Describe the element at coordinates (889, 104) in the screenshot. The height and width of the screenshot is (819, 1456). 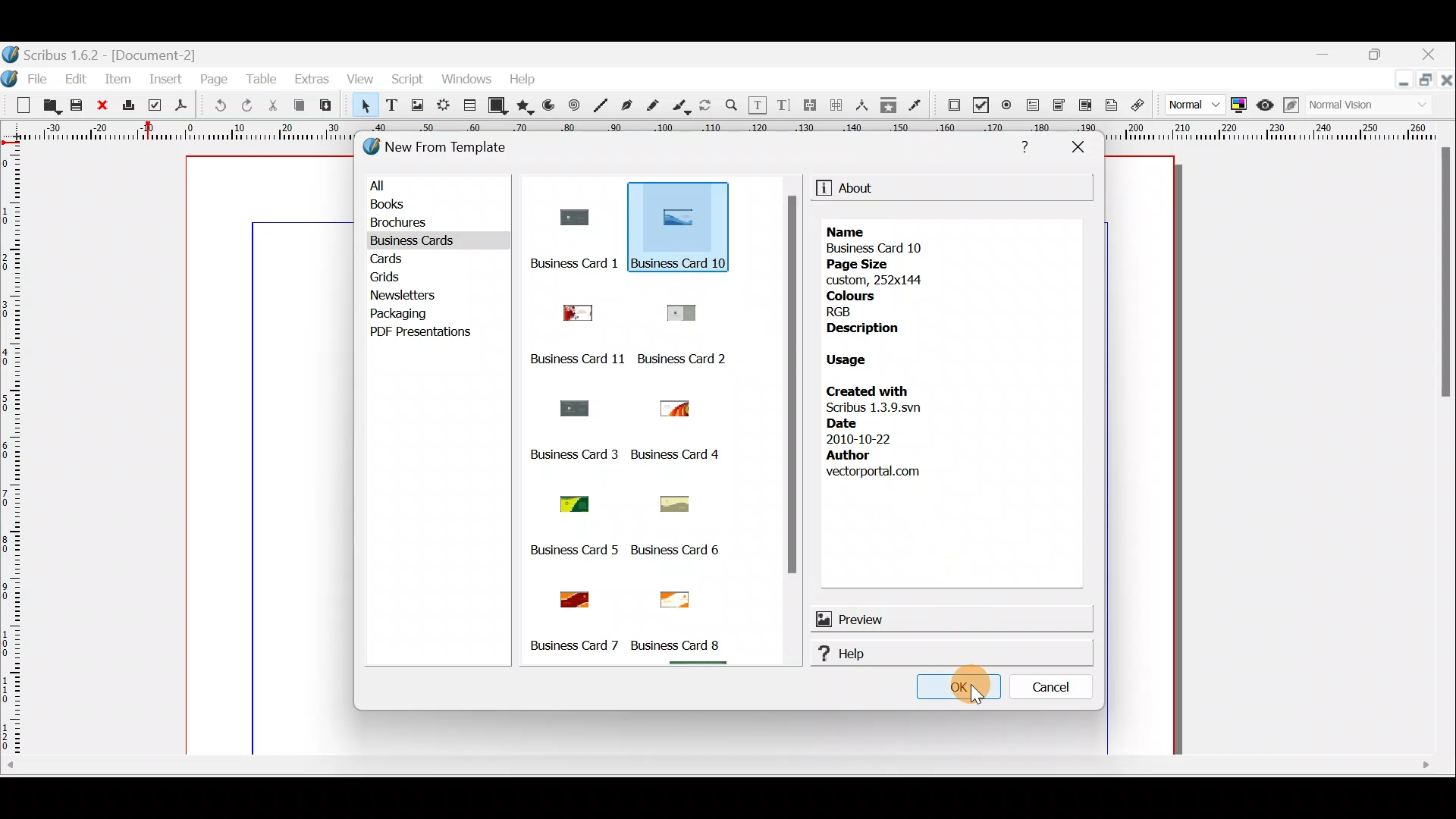
I see `Copy item properties` at that location.